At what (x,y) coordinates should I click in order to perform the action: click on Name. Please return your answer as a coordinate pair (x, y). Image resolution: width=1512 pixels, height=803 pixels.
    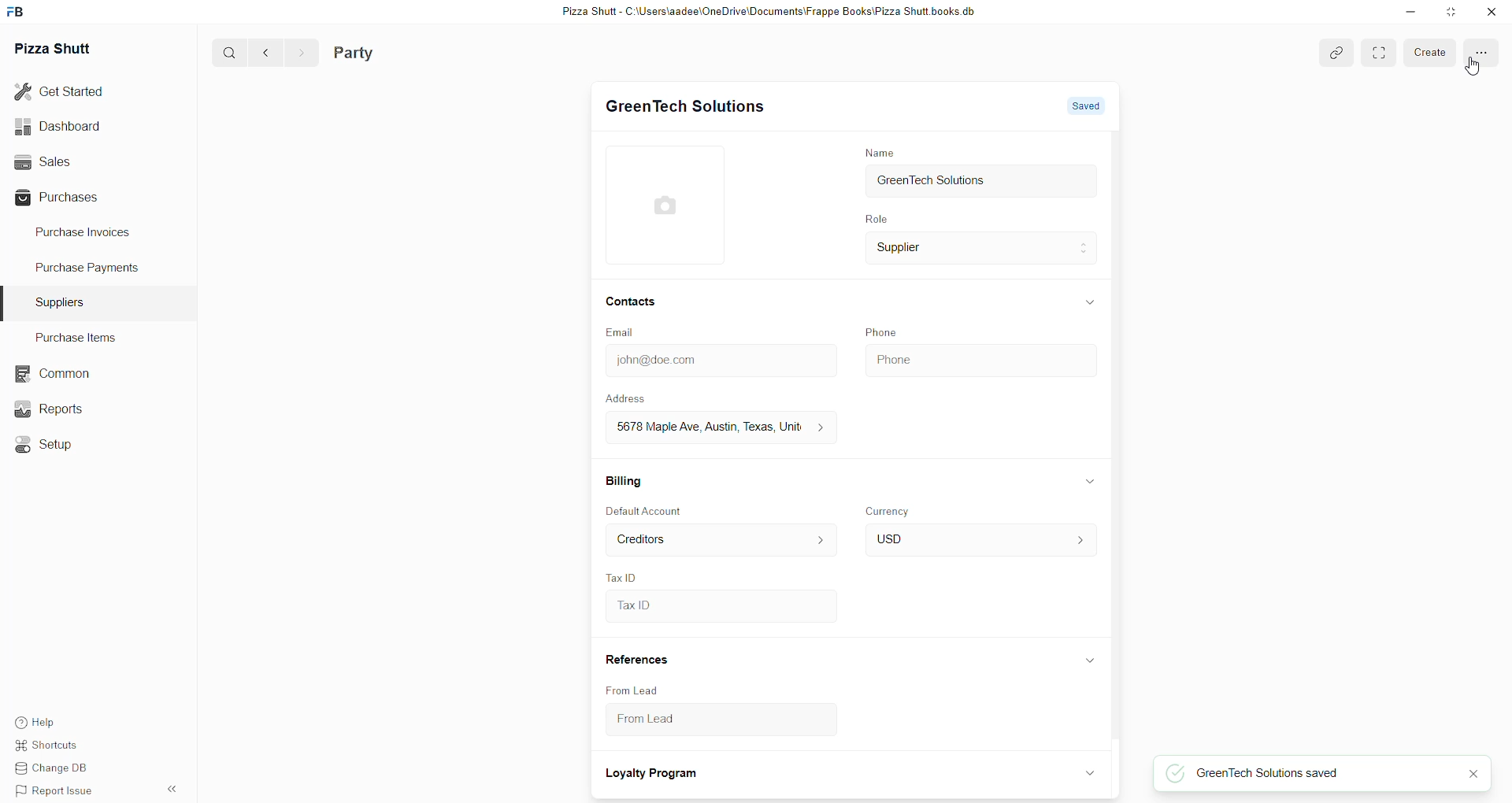
    Looking at the image, I should click on (879, 152).